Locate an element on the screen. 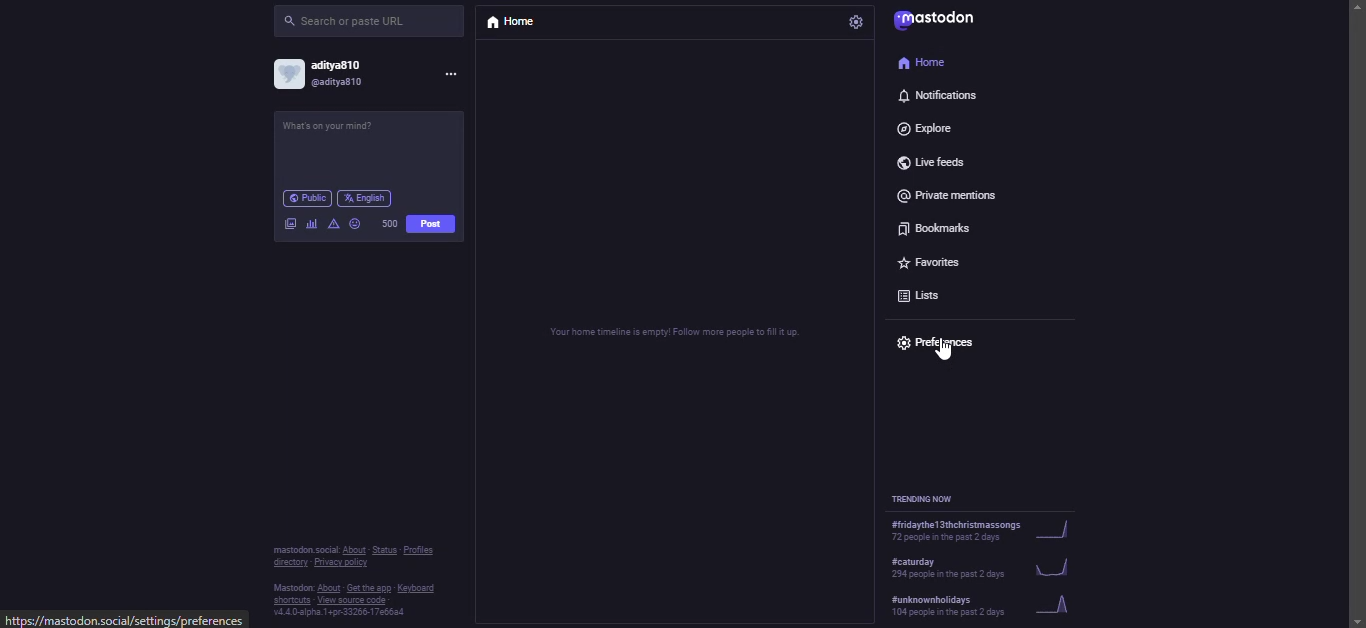 The height and width of the screenshot is (628, 1366). emoji is located at coordinates (354, 222).